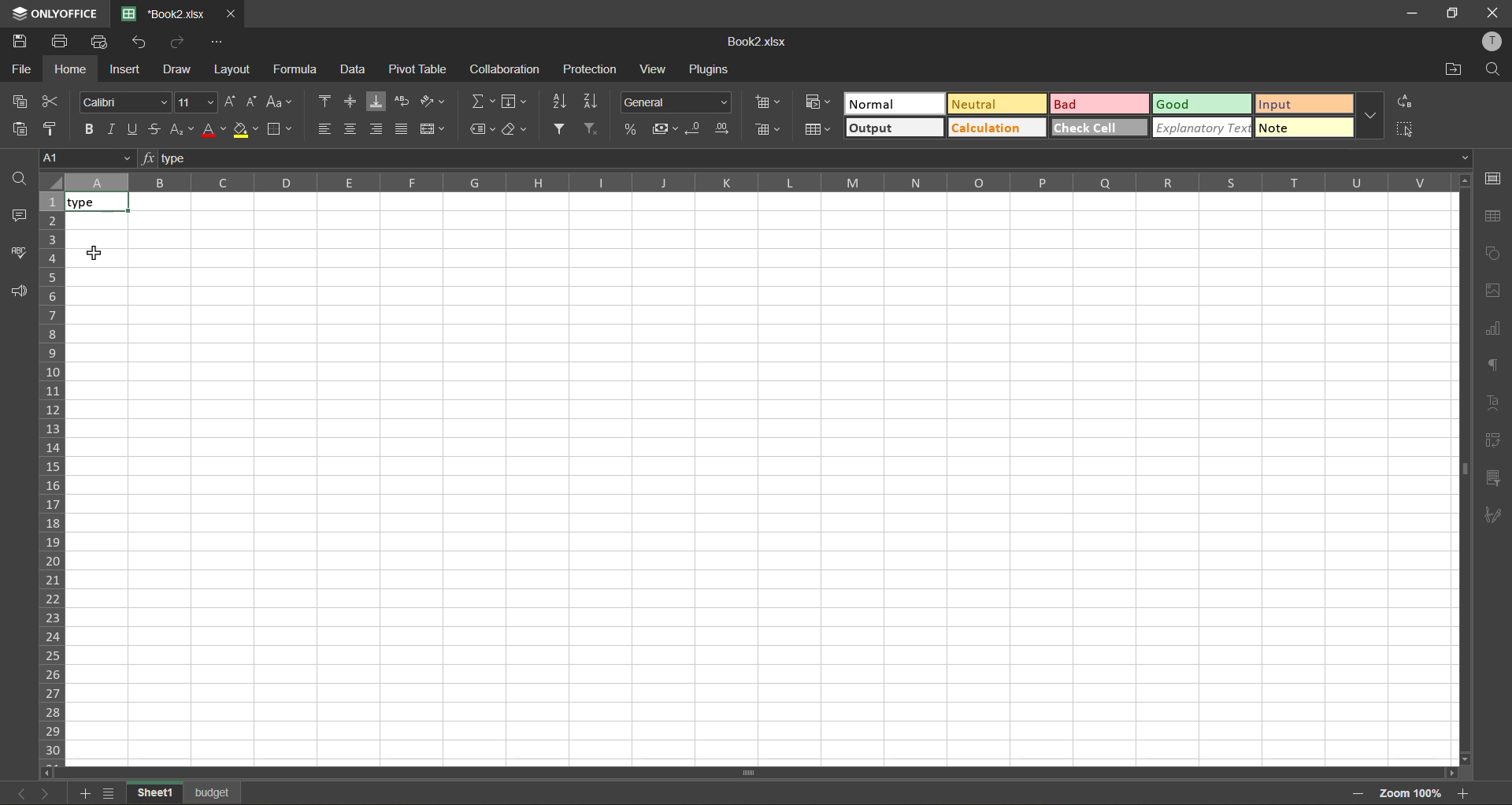 Image resolution: width=1512 pixels, height=805 pixels. Describe the element at coordinates (1303, 129) in the screenshot. I see `note` at that location.